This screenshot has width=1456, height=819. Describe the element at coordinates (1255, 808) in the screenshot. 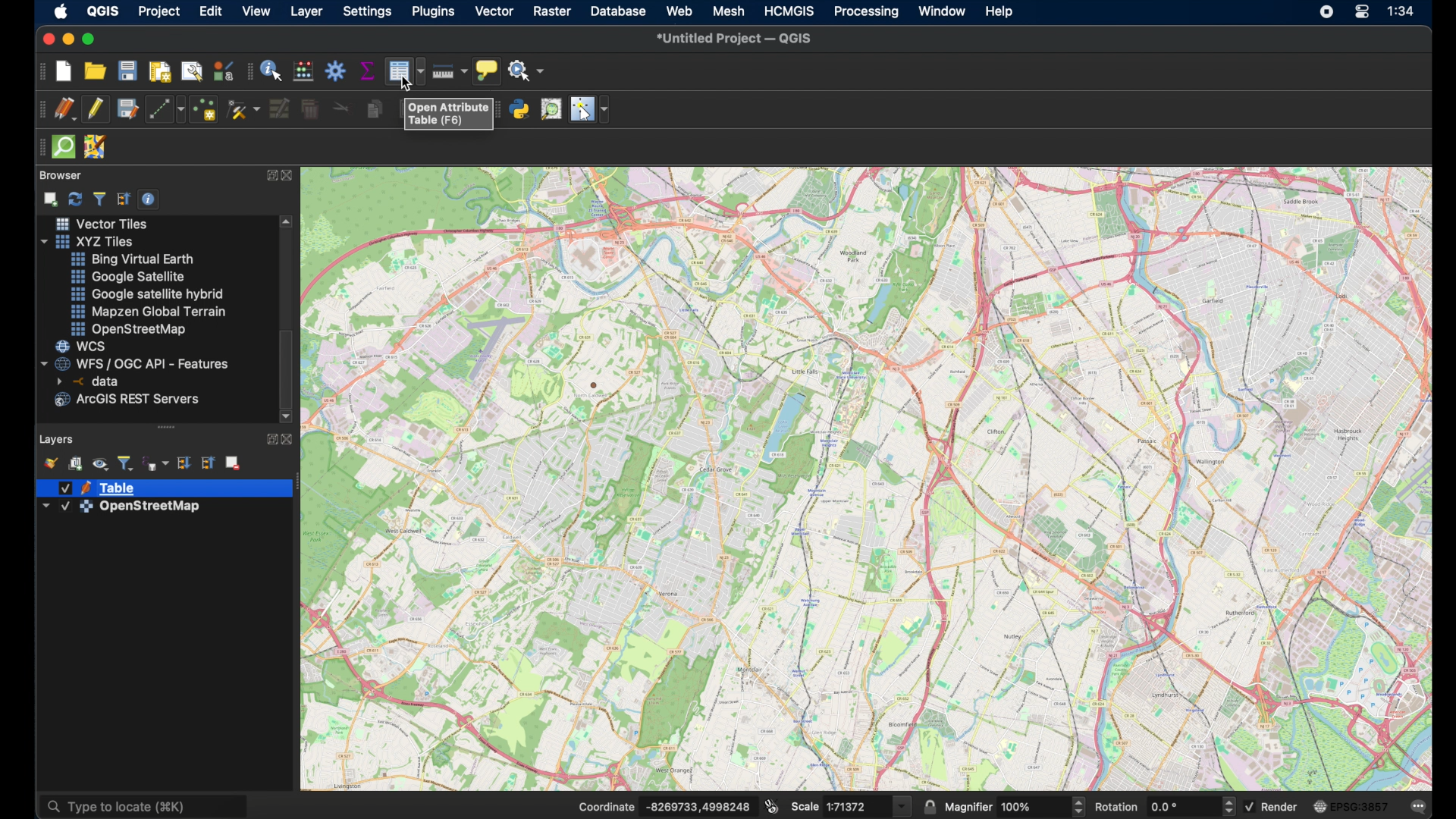

I see `checked box` at that location.